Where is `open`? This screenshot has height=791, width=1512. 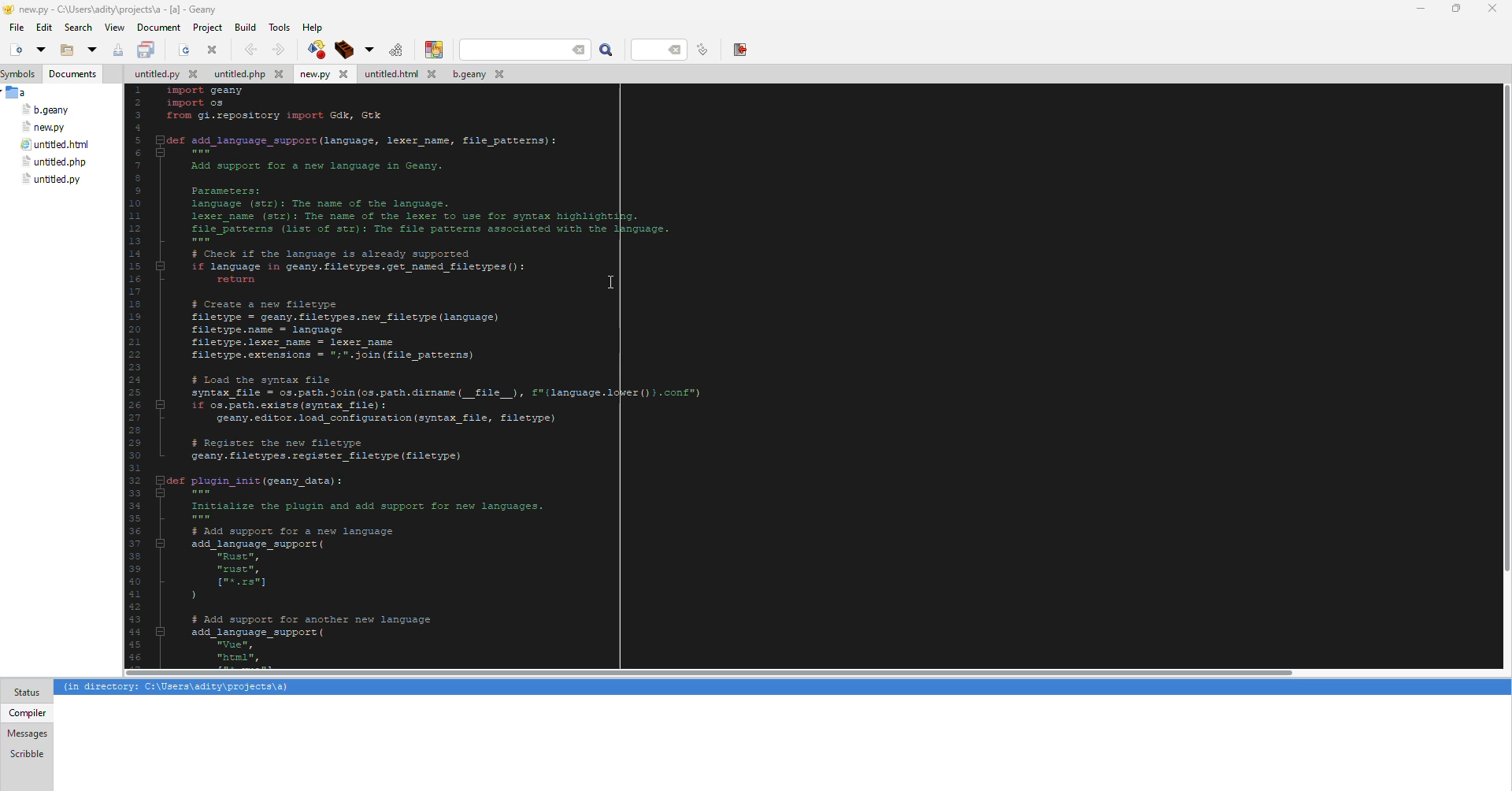 open is located at coordinates (66, 51).